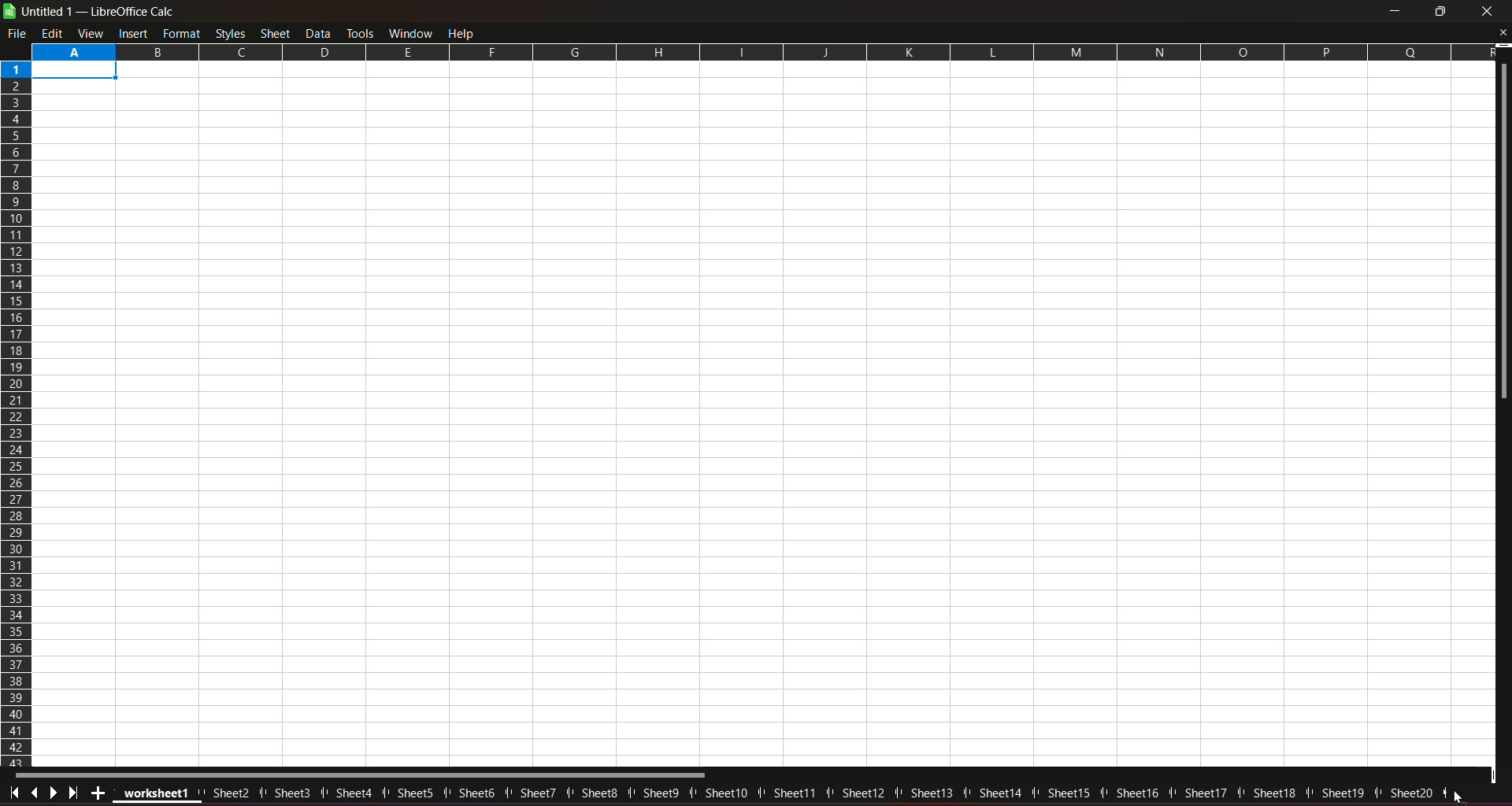 This screenshot has height=806, width=1512. Describe the element at coordinates (320, 32) in the screenshot. I see `Data` at that location.